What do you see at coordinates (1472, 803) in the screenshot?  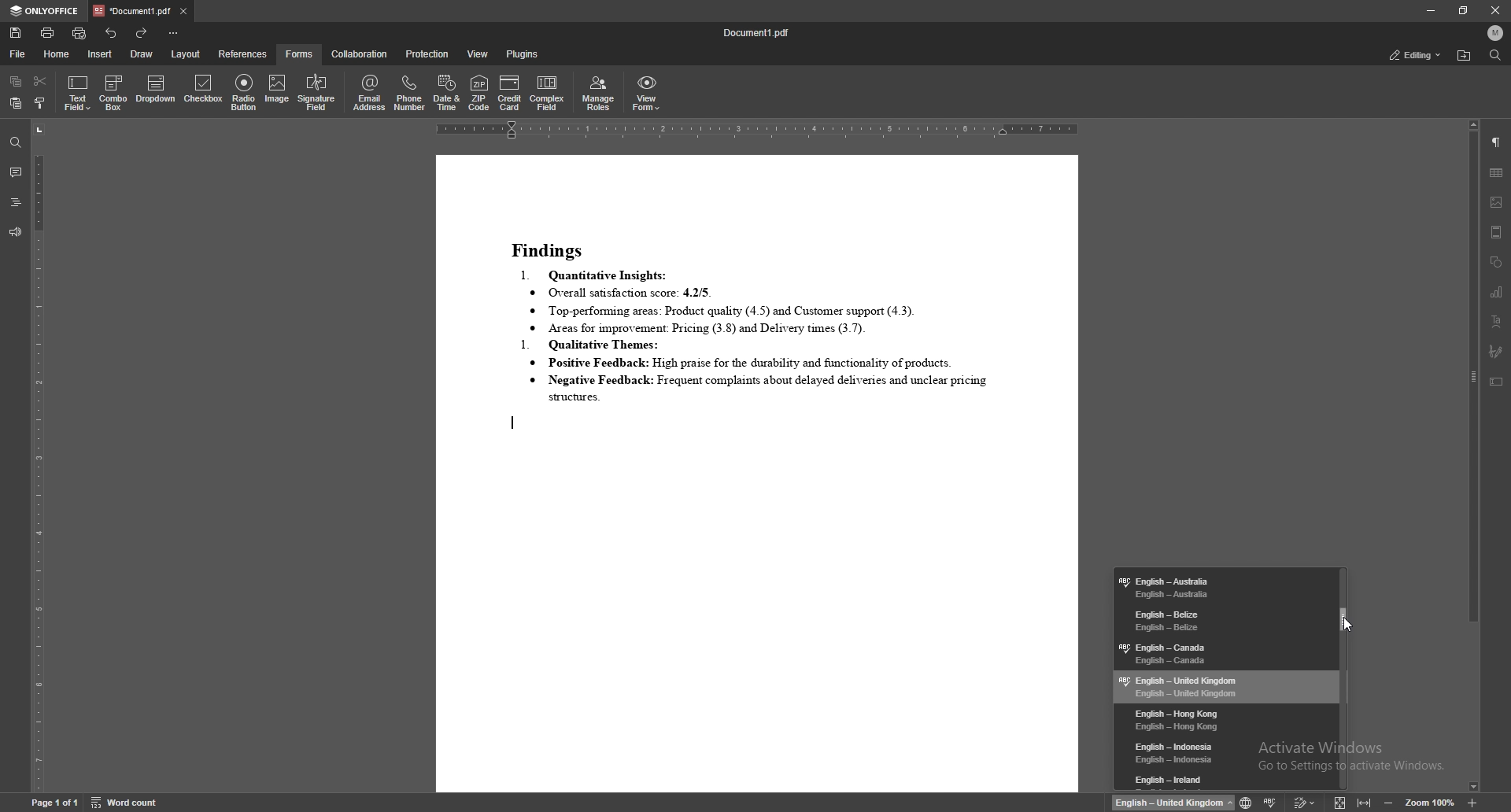 I see `zoom in` at bounding box center [1472, 803].